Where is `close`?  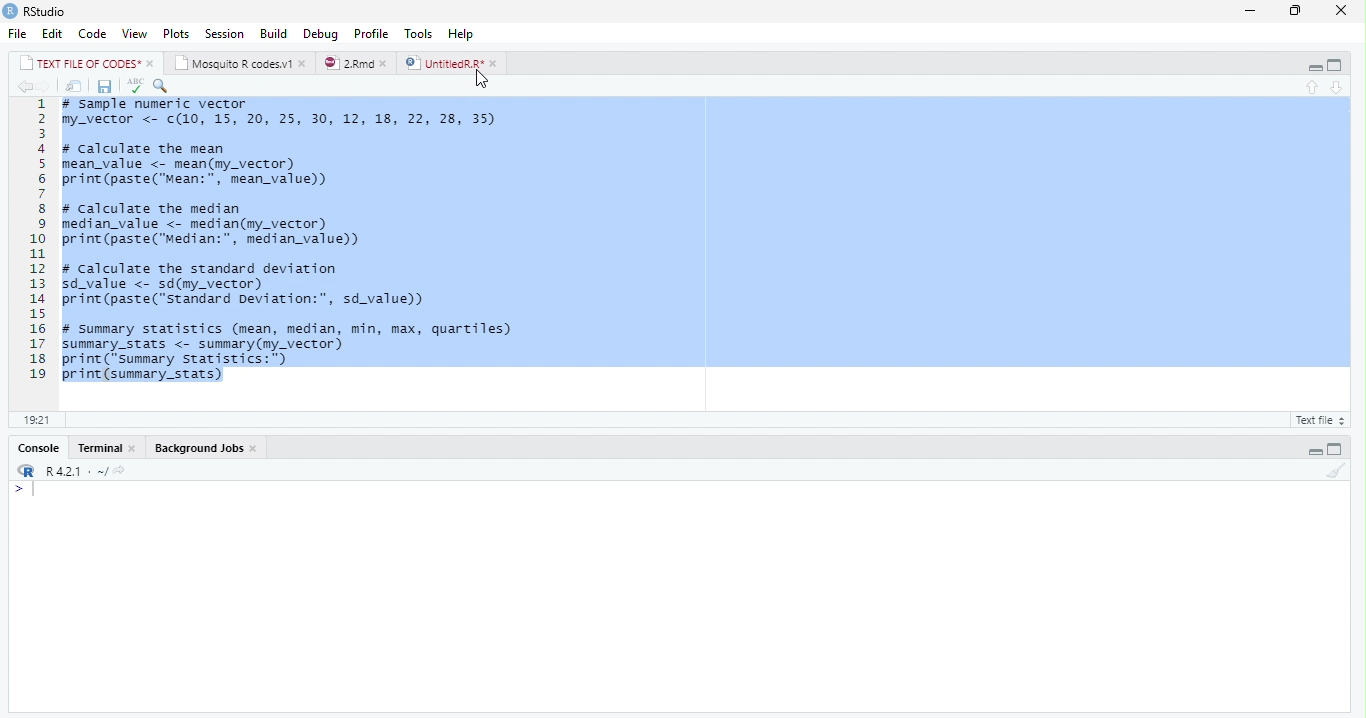 close is located at coordinates (388, 64).